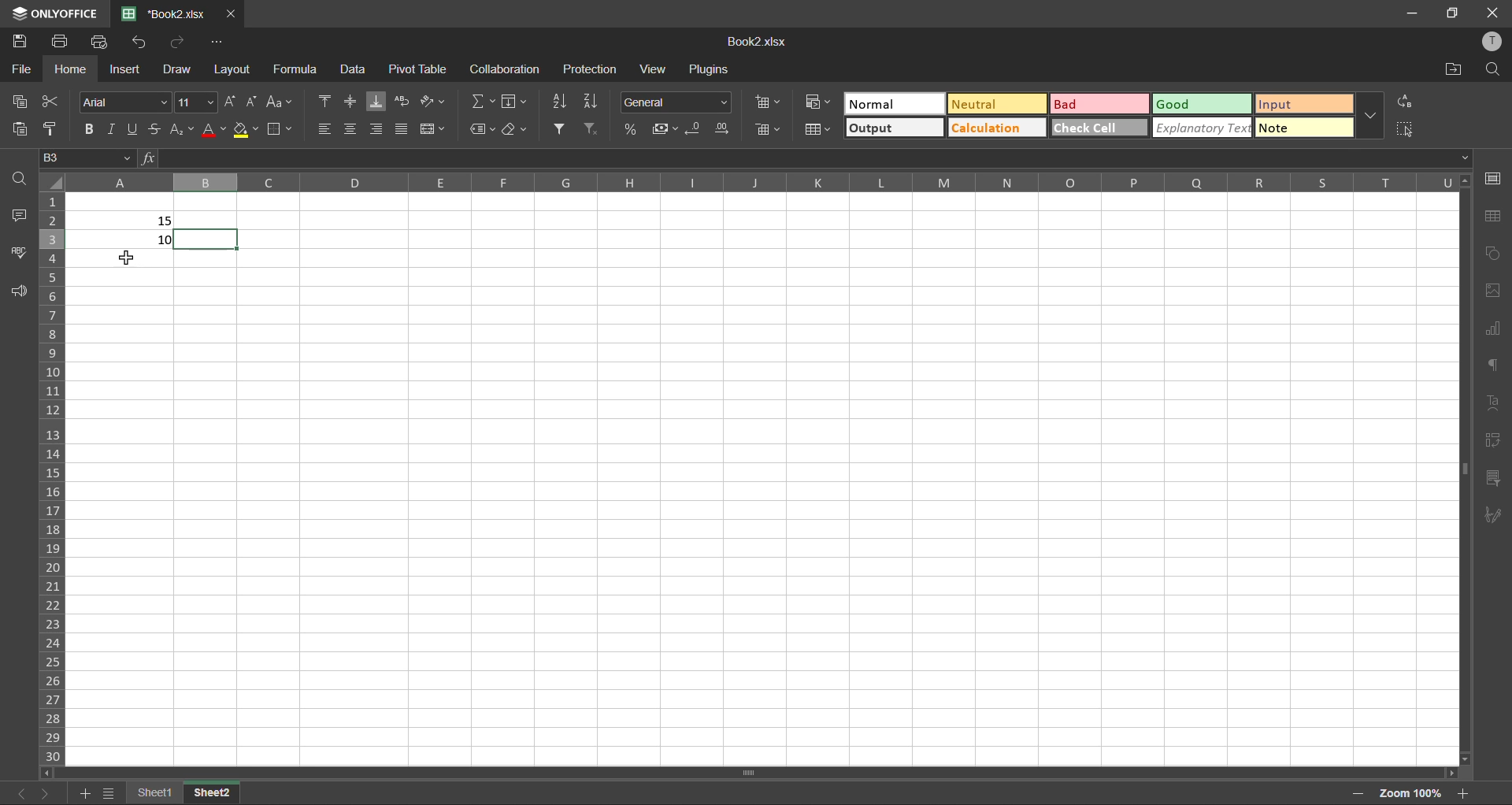  Describe the element at coordinates (1492, 365) in the screenshot. I see `paragraph` at that location.